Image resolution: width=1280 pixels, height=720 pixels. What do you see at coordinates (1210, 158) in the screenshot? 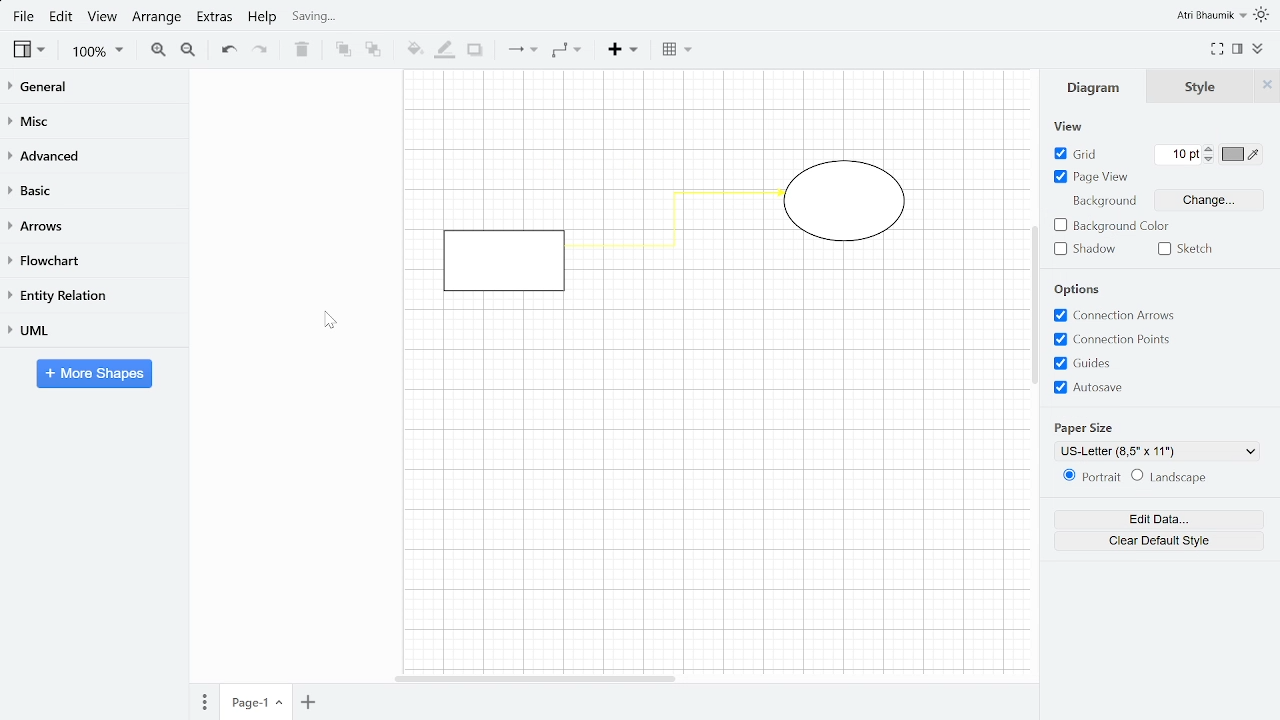
I see `Decrease grid pt` at bounding box center [1210, 158].